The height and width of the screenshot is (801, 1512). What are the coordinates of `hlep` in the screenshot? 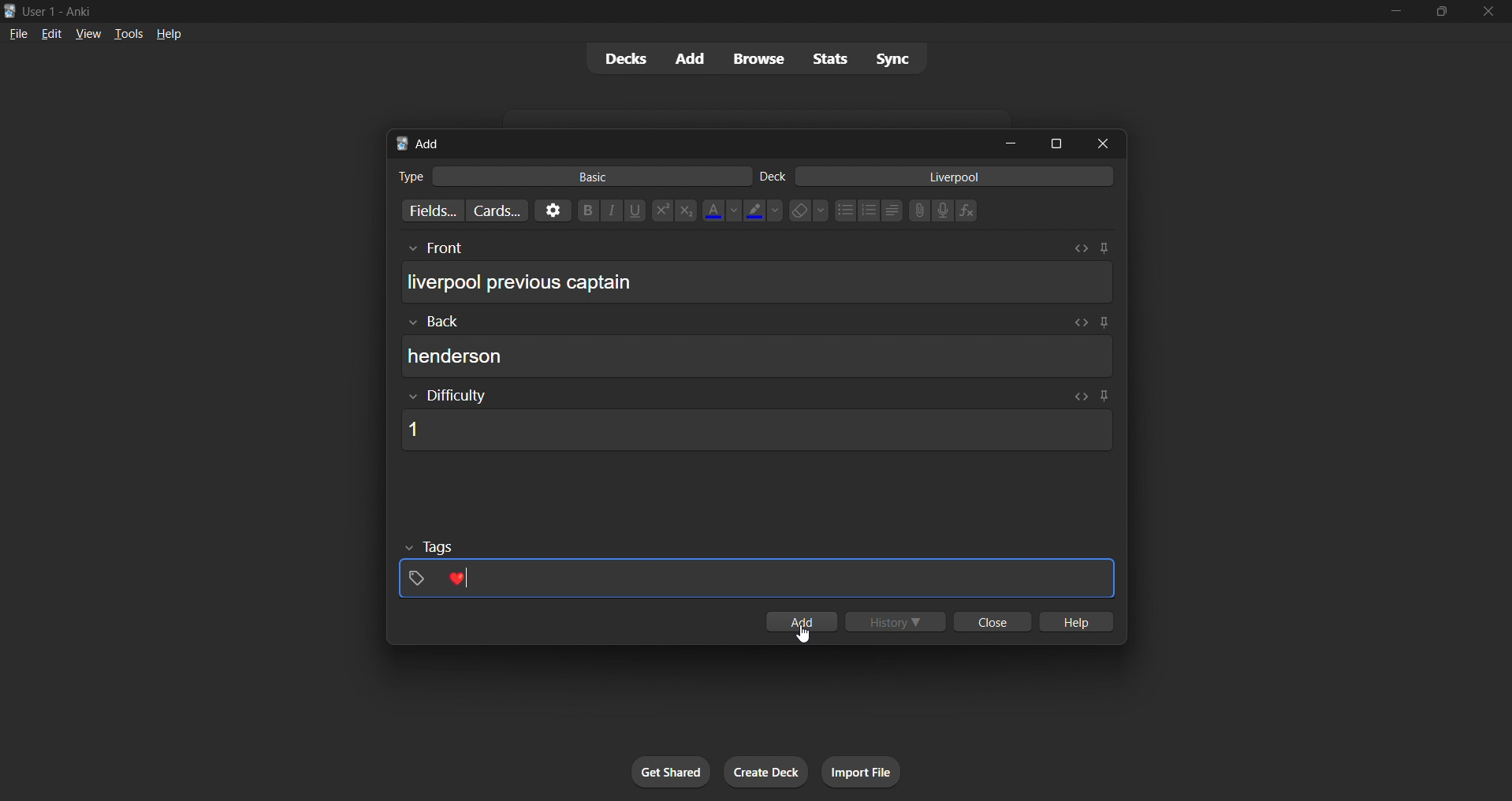 It's located at (1078, 623).